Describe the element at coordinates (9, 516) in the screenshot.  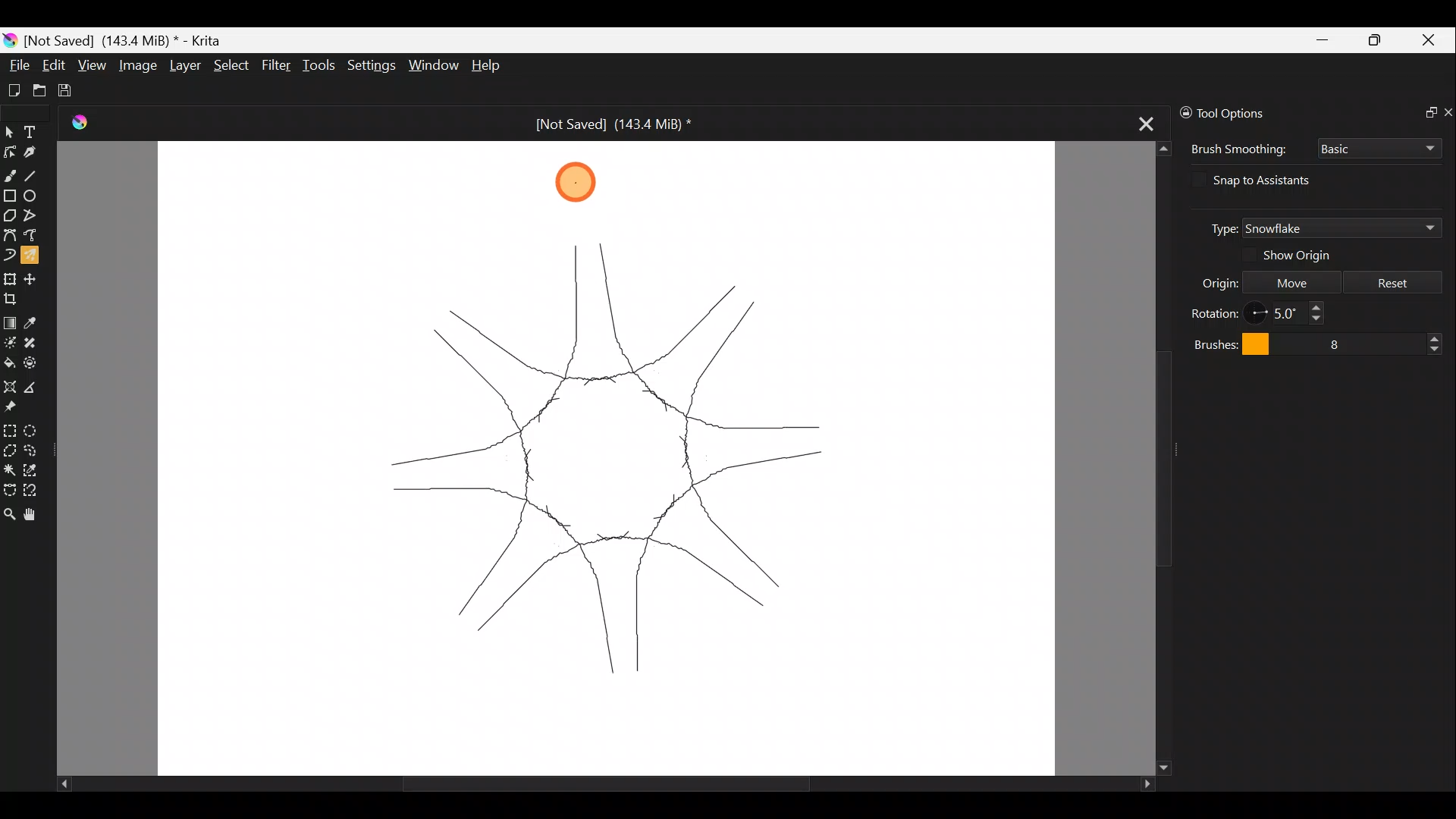
I see `Zoom tool` at that location.